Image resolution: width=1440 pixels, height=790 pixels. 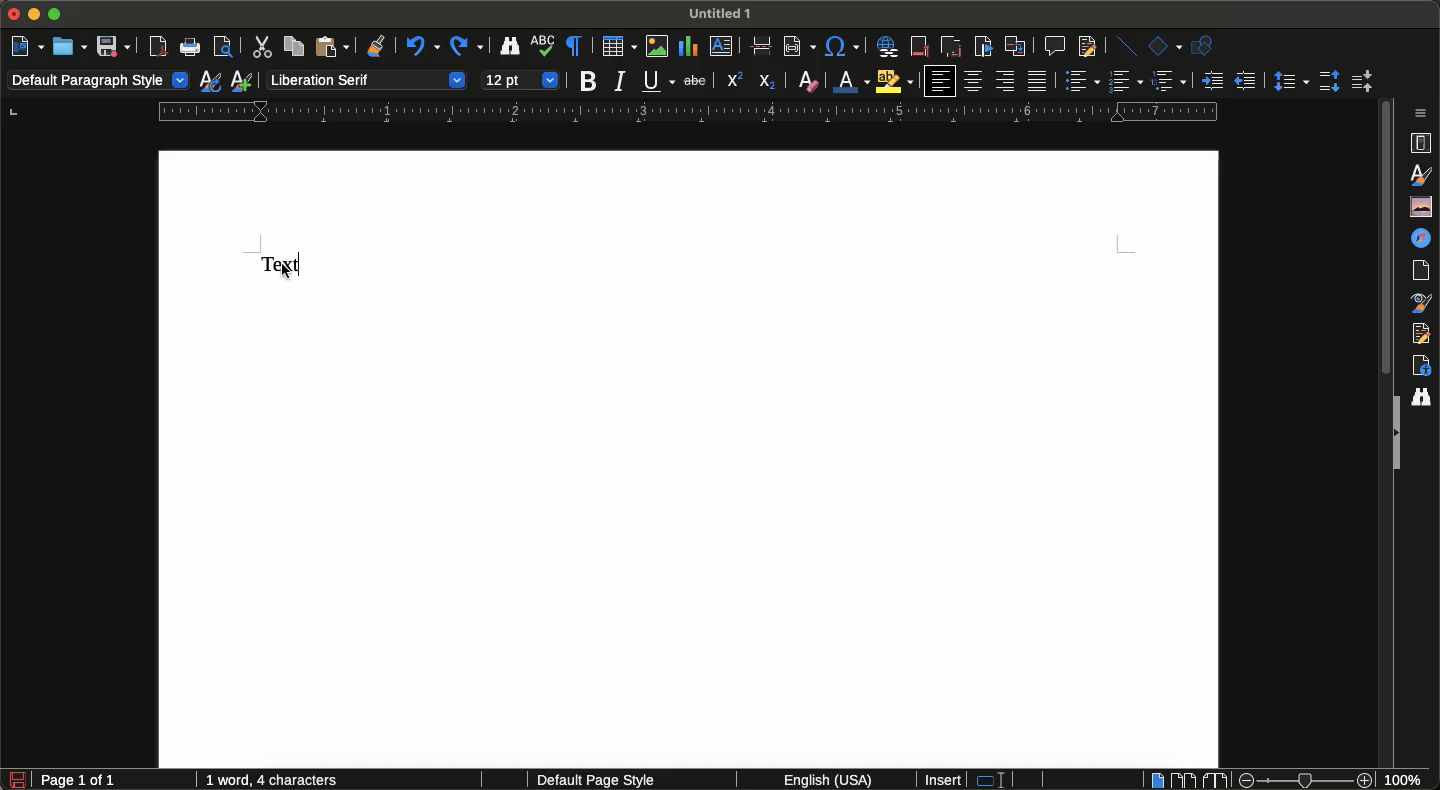 I want to click on Styles, so click(x=1423, y=175).